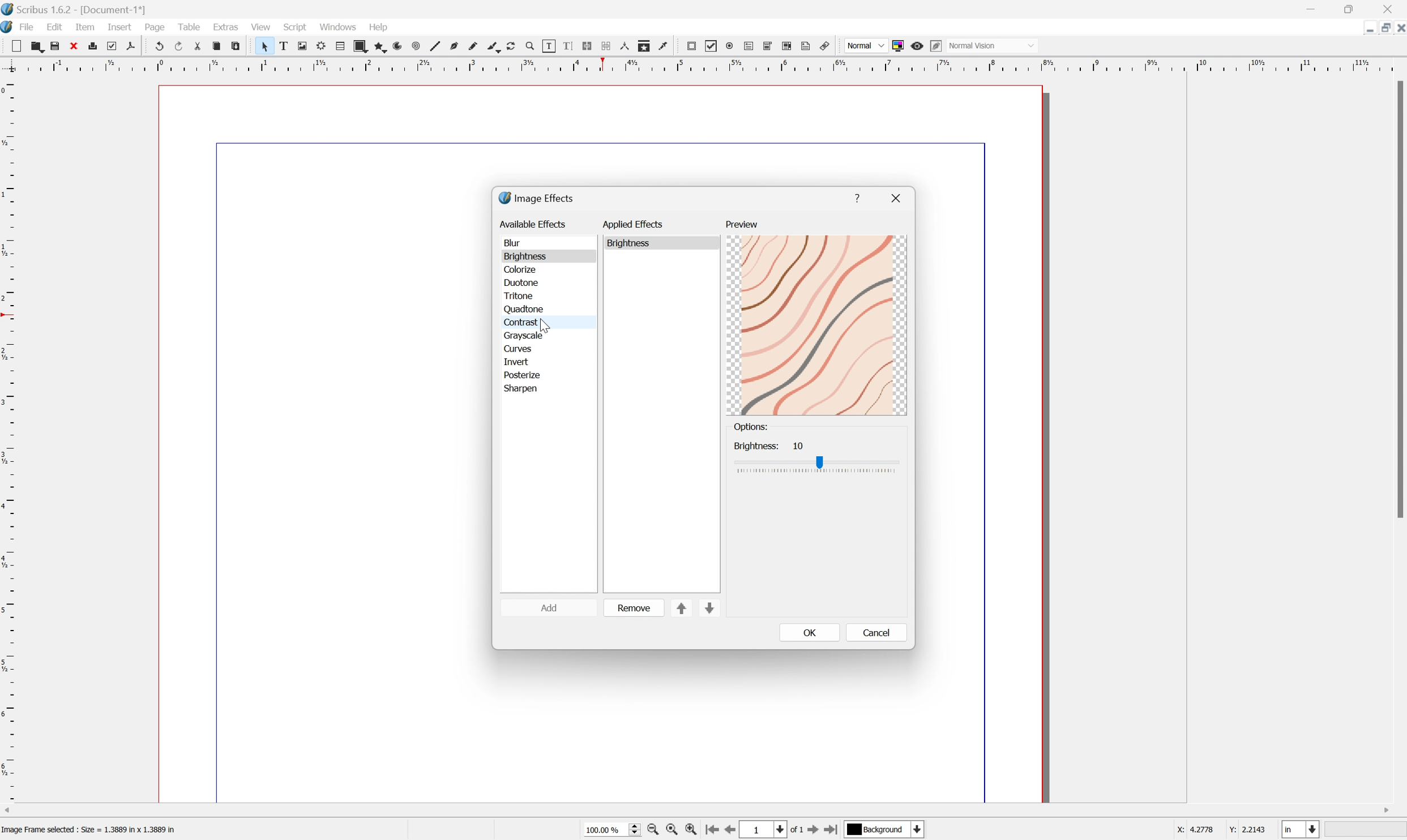 The image size is (1407, 840). I want to click on View, so click(261, 27).